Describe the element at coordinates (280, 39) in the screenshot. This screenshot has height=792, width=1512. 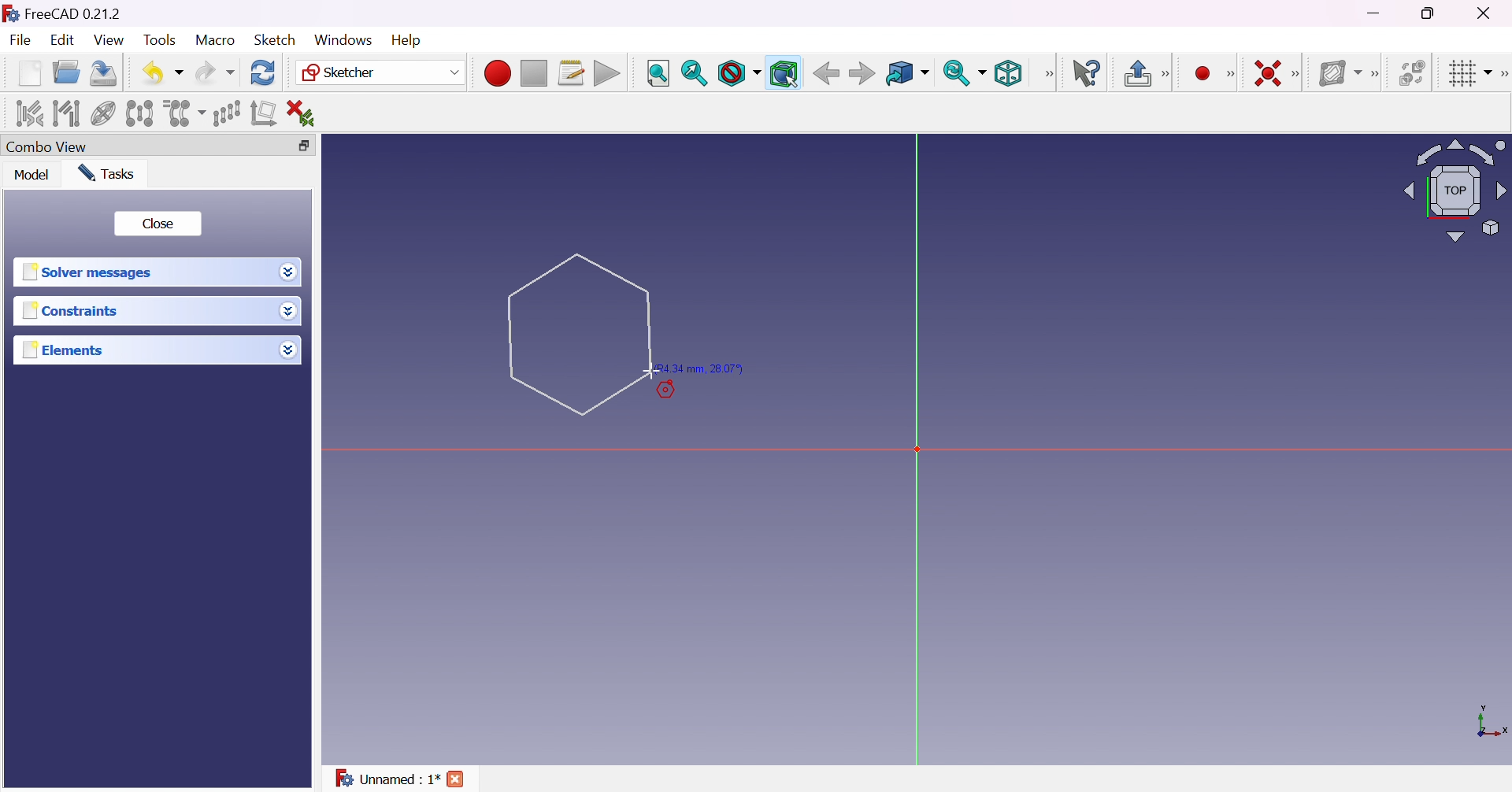
I see `Sketch` at that location.